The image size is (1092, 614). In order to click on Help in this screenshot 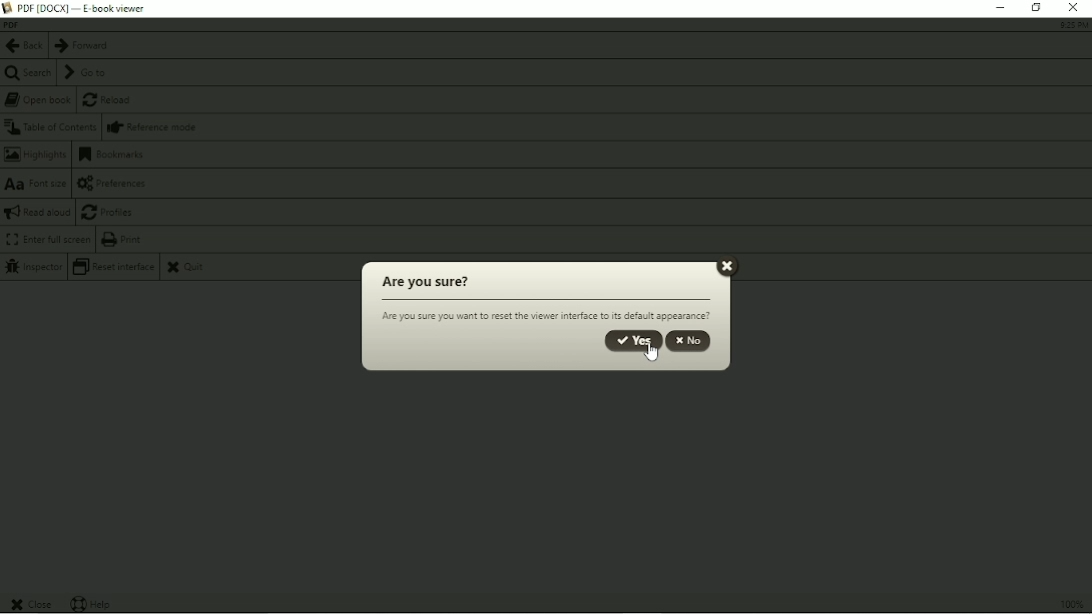, I will do `click(94, 603)`.